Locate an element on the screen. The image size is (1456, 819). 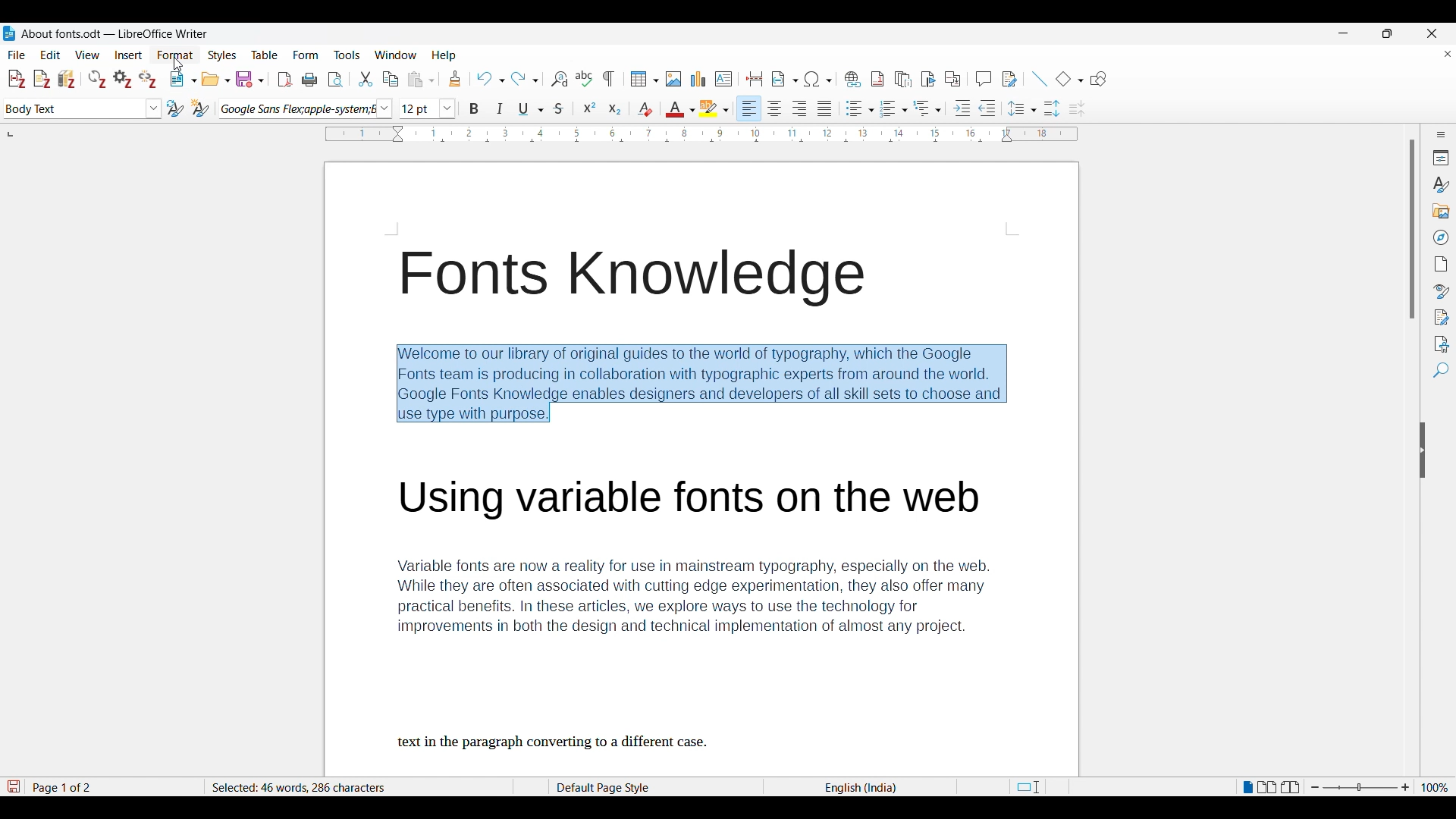
Decrease paragraph spacing is located at coordinates (1078, 109).